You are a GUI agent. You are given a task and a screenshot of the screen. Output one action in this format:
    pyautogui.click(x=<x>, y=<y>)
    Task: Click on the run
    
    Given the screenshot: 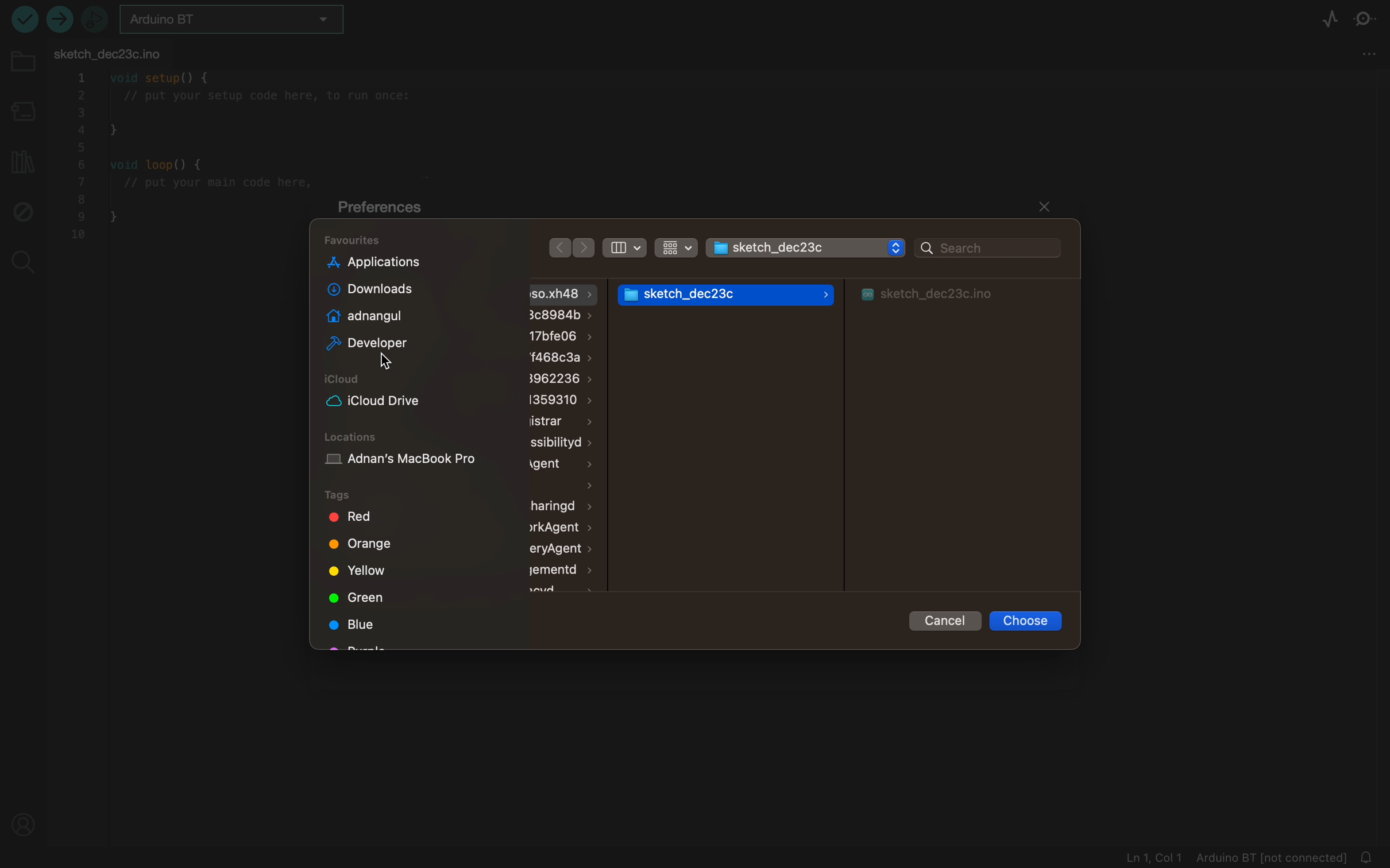 What is the action you would take?
    pyautogui.click(x=25, y=20)
    